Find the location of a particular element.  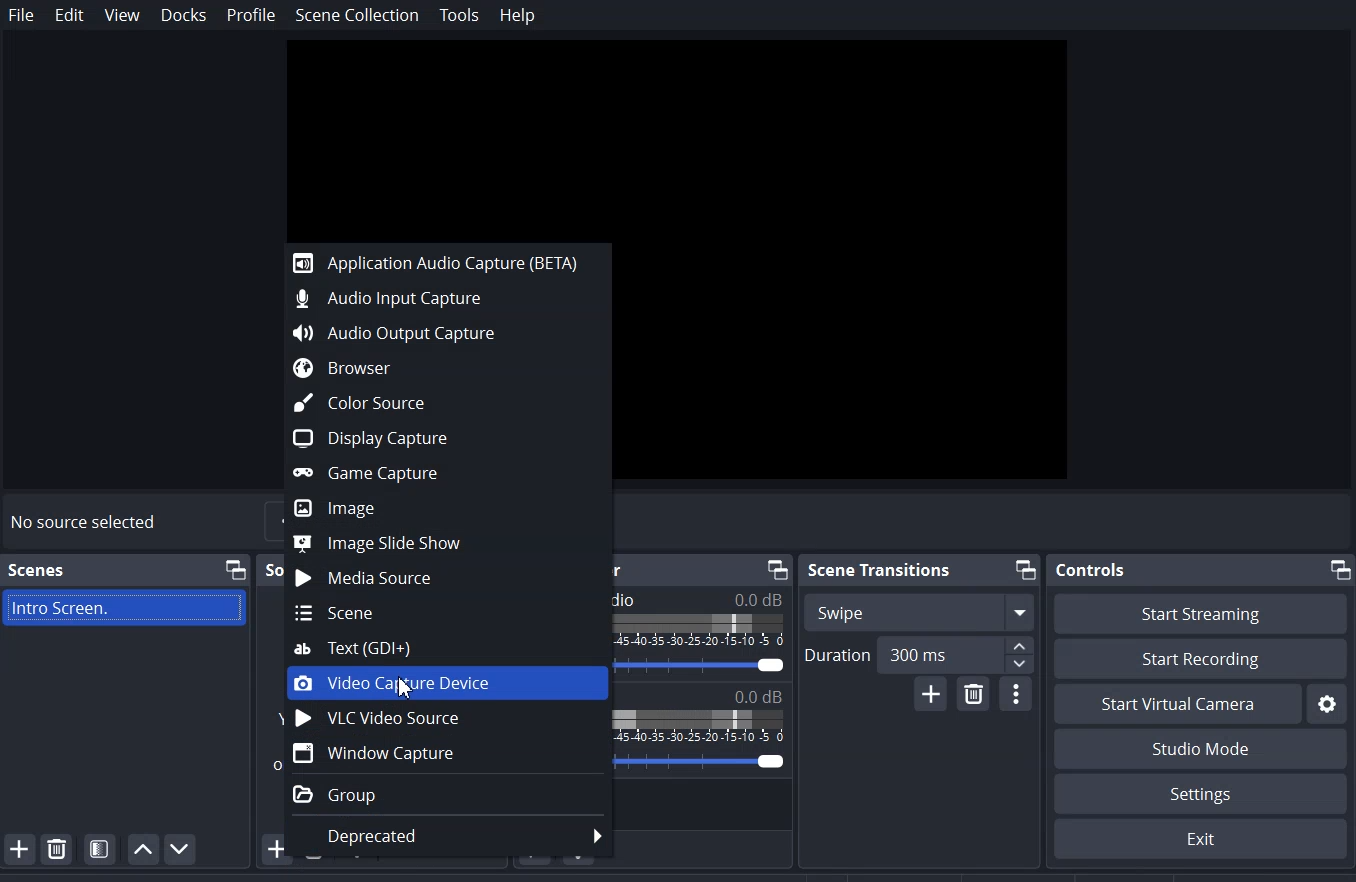

Application Audio Capture (BETA) is located at coordinates (435, 262).